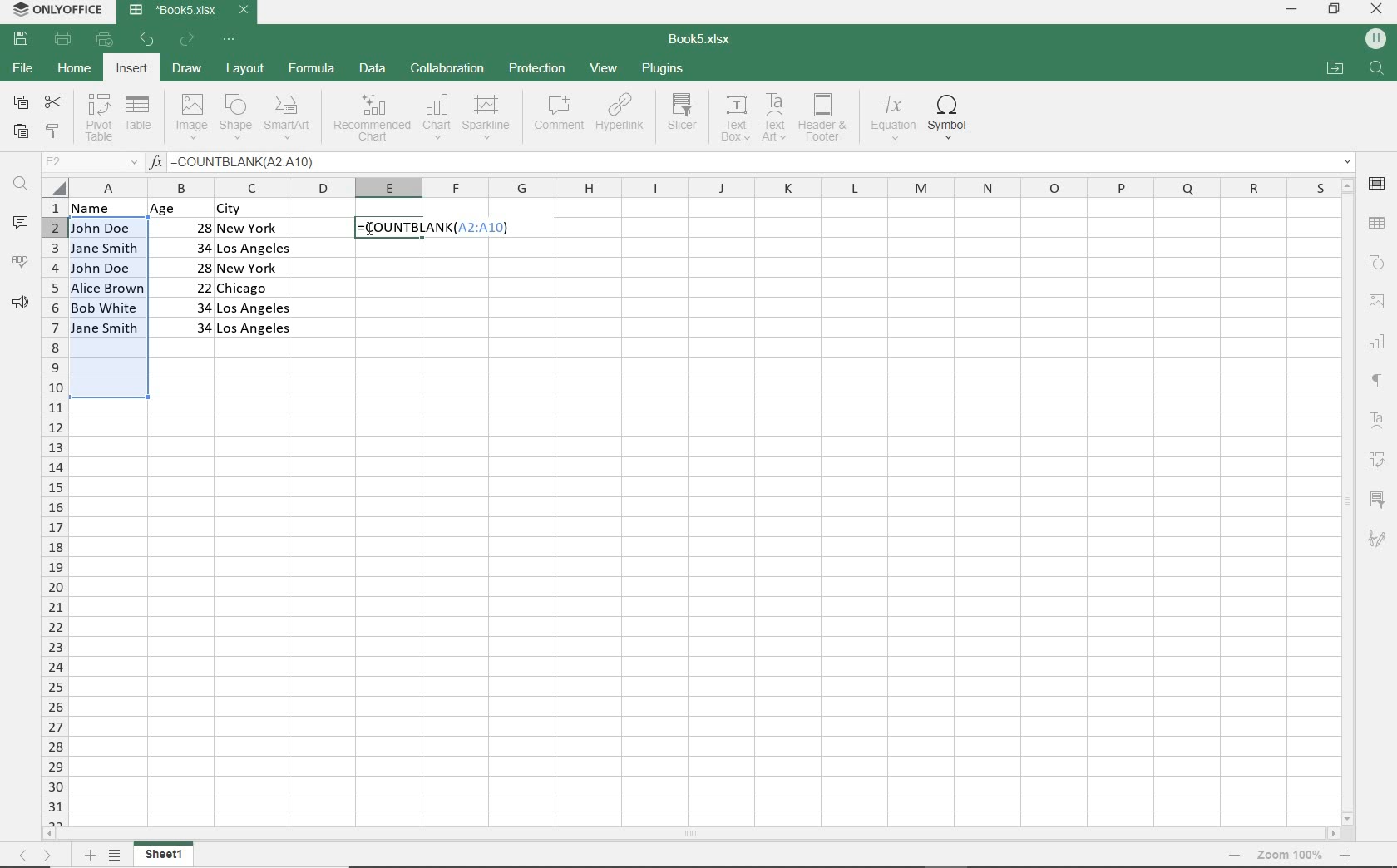  Describe the element at coordinates (254, 330) in the screenshot. I see `Los Angeles` at that location.